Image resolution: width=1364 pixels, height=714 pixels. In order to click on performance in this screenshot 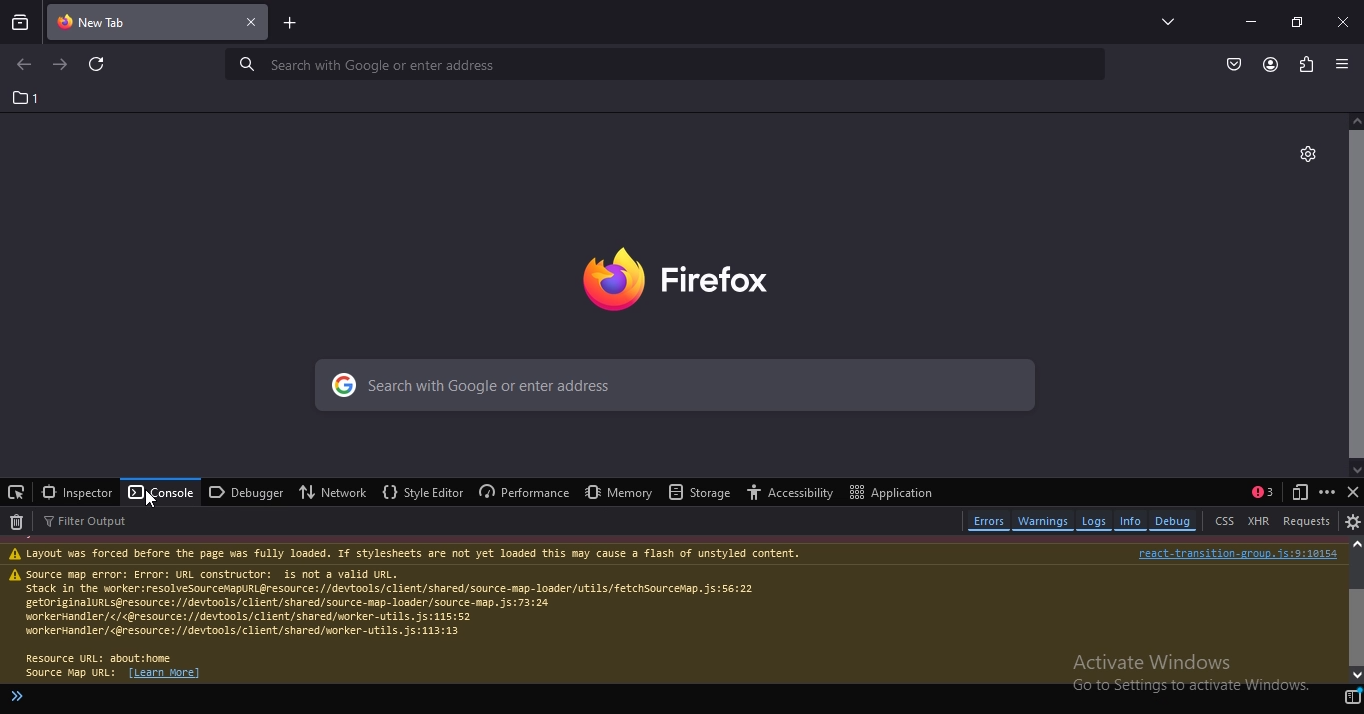, I will do `click(524, 490)`.